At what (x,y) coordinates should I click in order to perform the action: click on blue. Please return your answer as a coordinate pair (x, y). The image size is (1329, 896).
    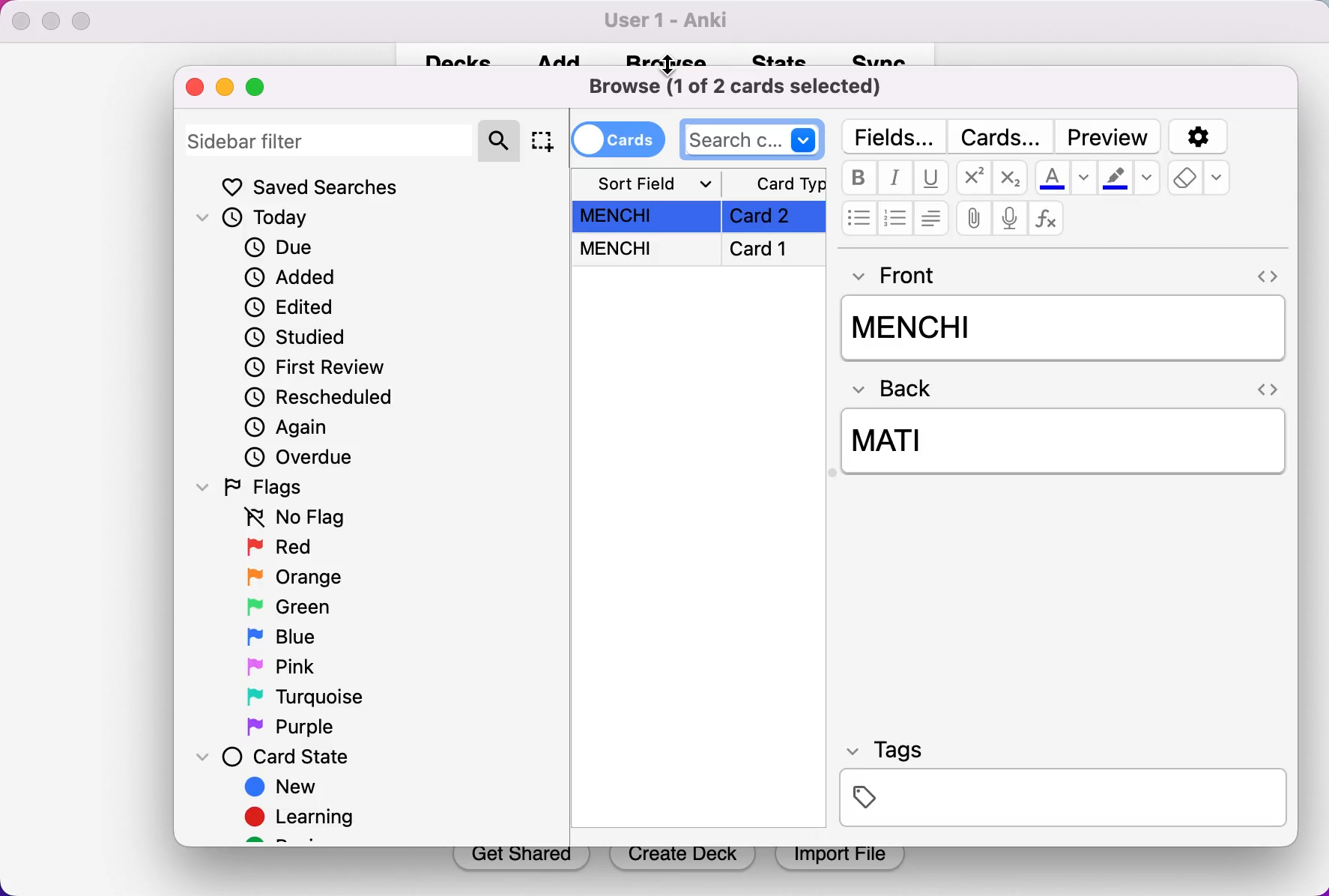
    Looking at the image, I should click on (281, 636).